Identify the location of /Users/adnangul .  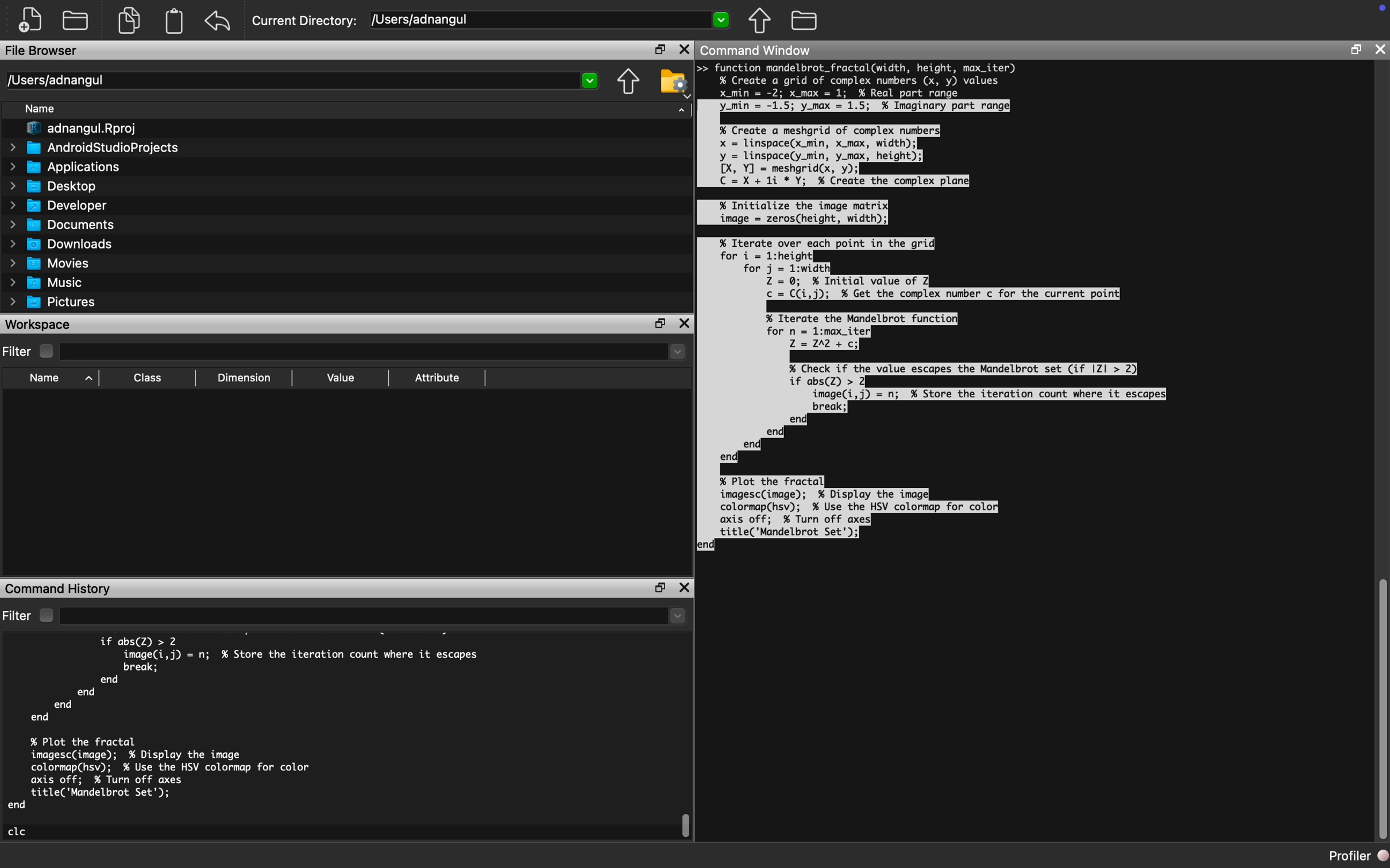
(549, 21).